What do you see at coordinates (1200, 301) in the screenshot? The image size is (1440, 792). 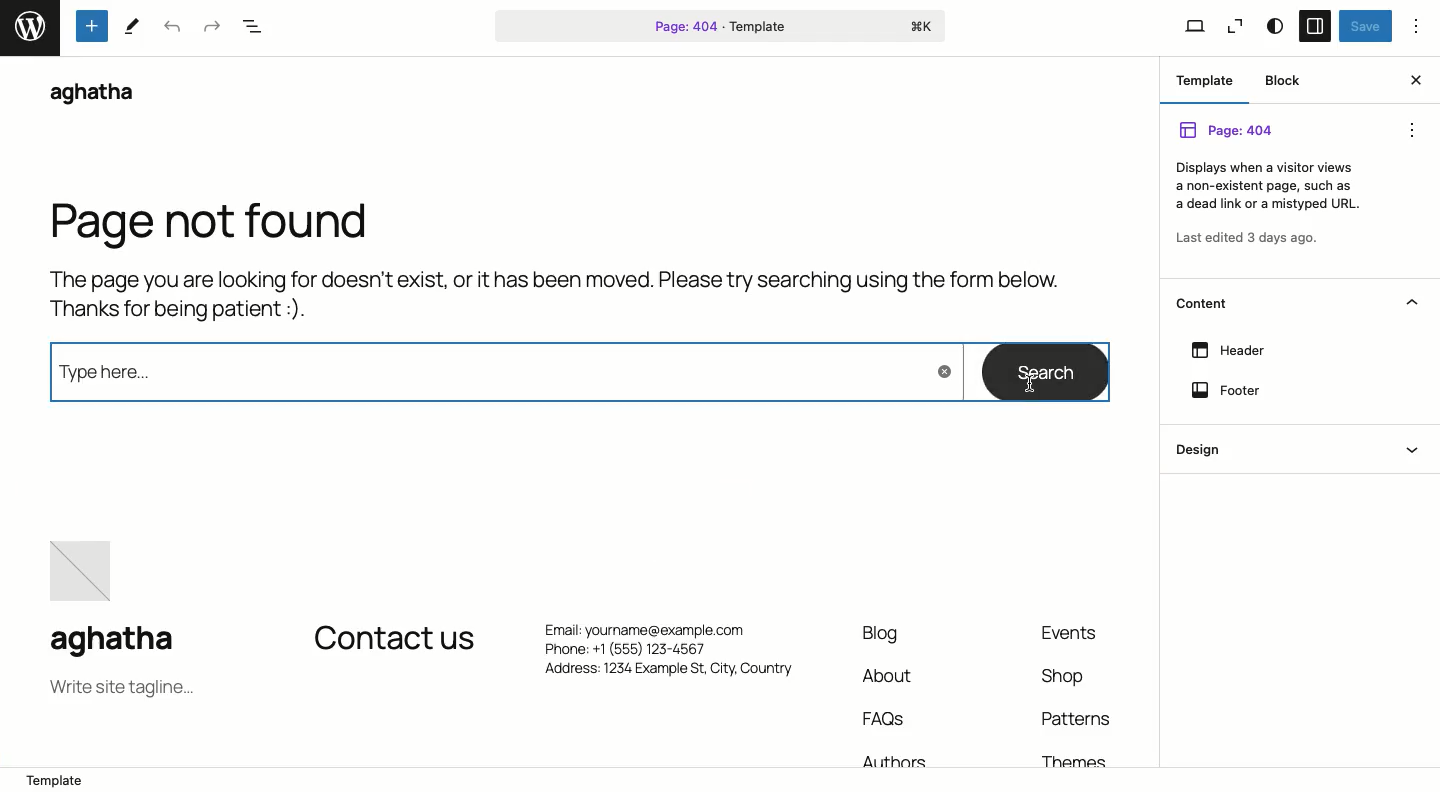 I see `Content` at bounding box center [1200, 301].